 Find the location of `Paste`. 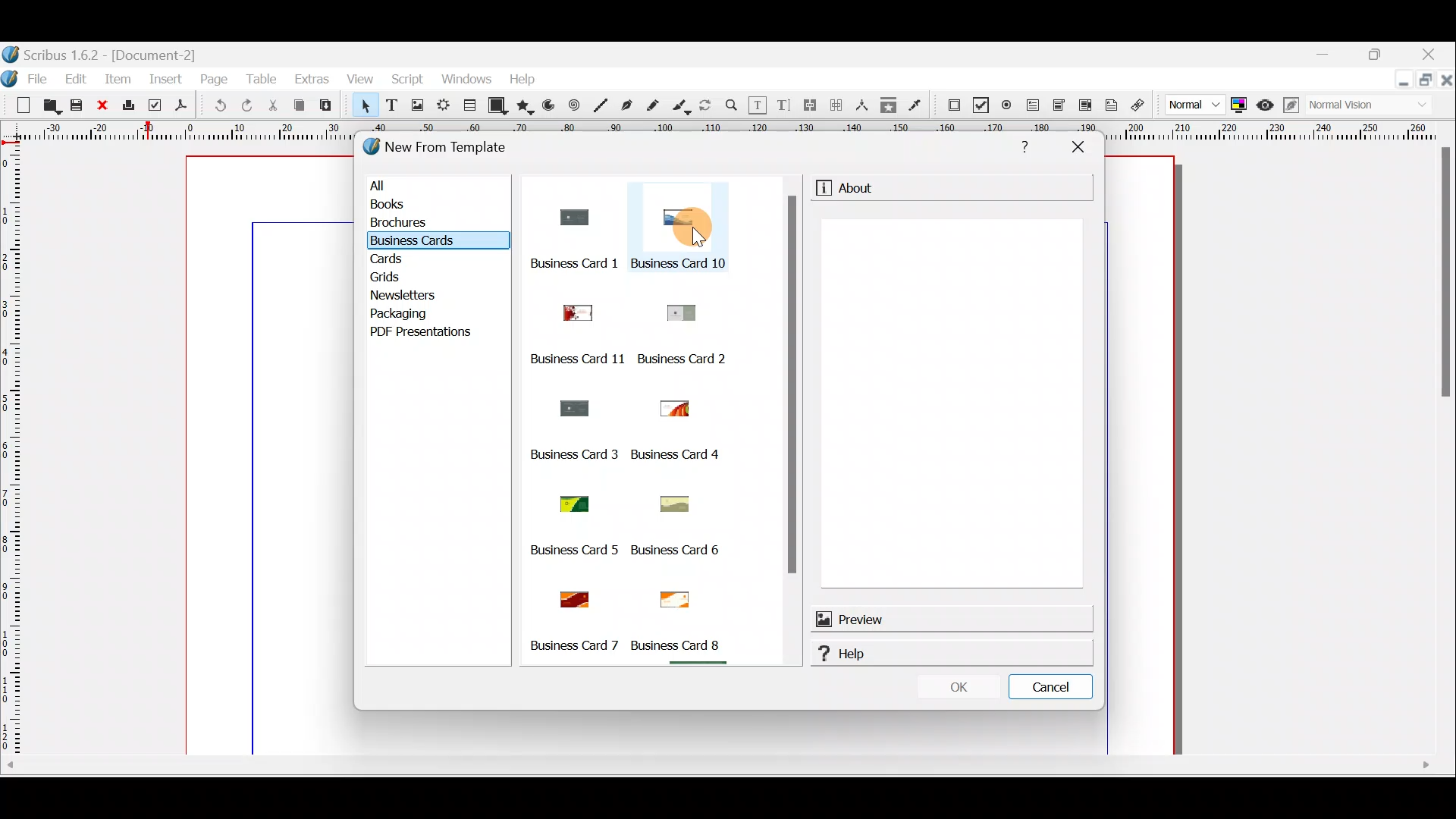

Paste is located at coordinates (325, 105).